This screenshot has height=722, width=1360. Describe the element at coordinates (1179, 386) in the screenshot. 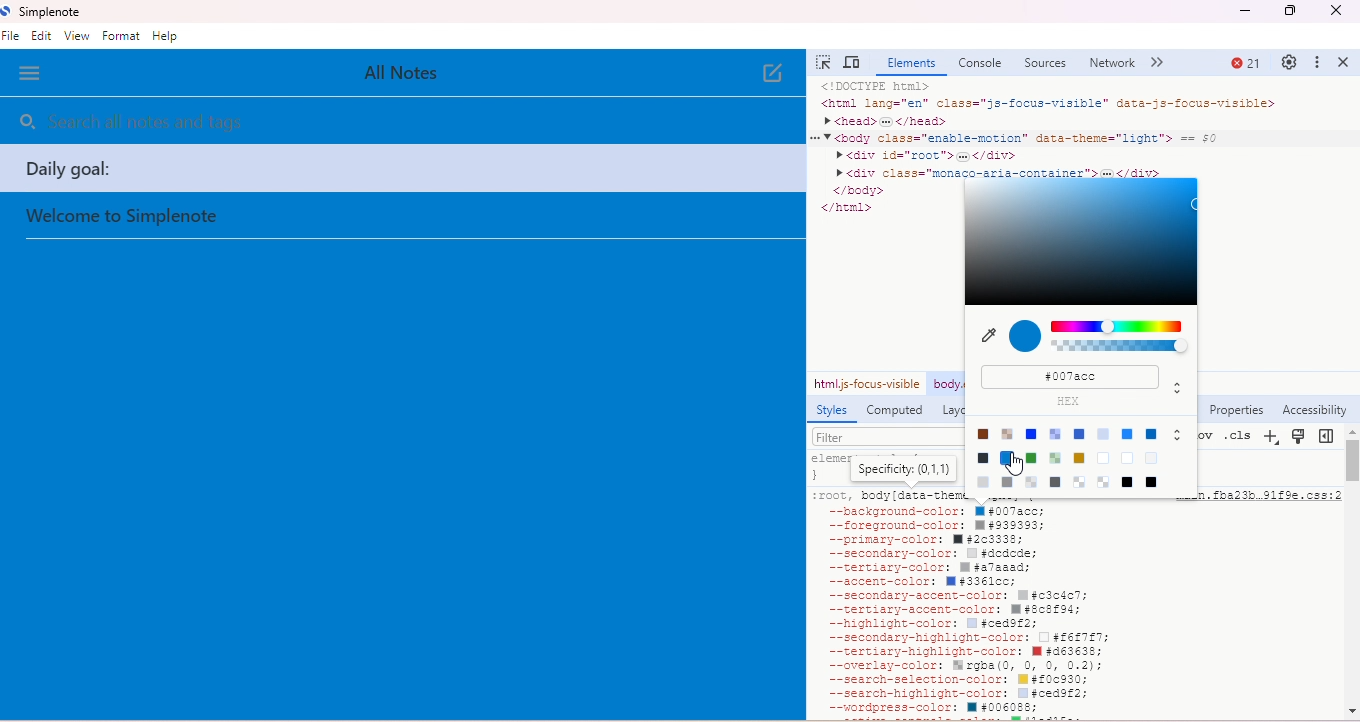

I see `move up/down` at that location.